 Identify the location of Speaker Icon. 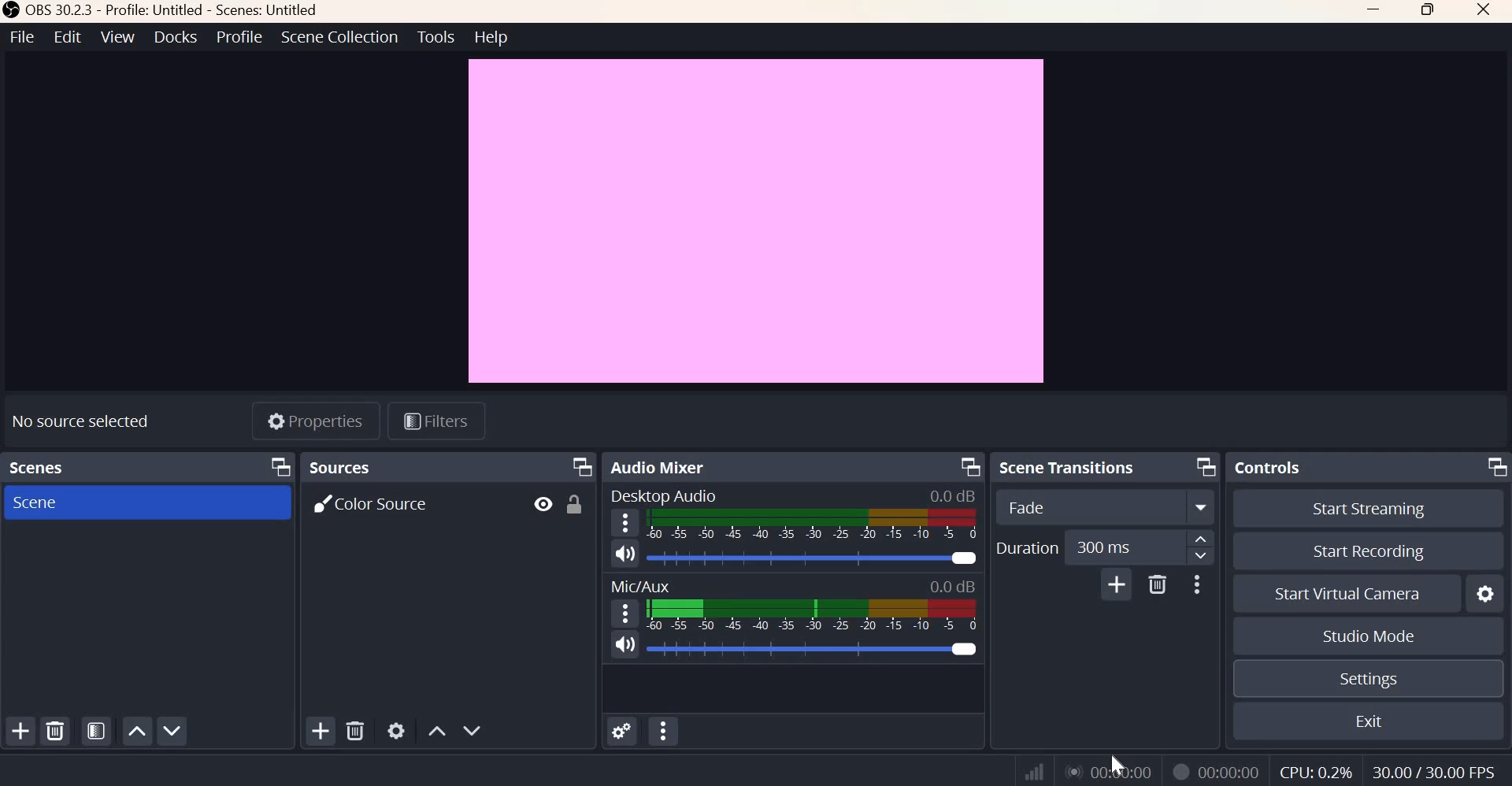
(625, 553).